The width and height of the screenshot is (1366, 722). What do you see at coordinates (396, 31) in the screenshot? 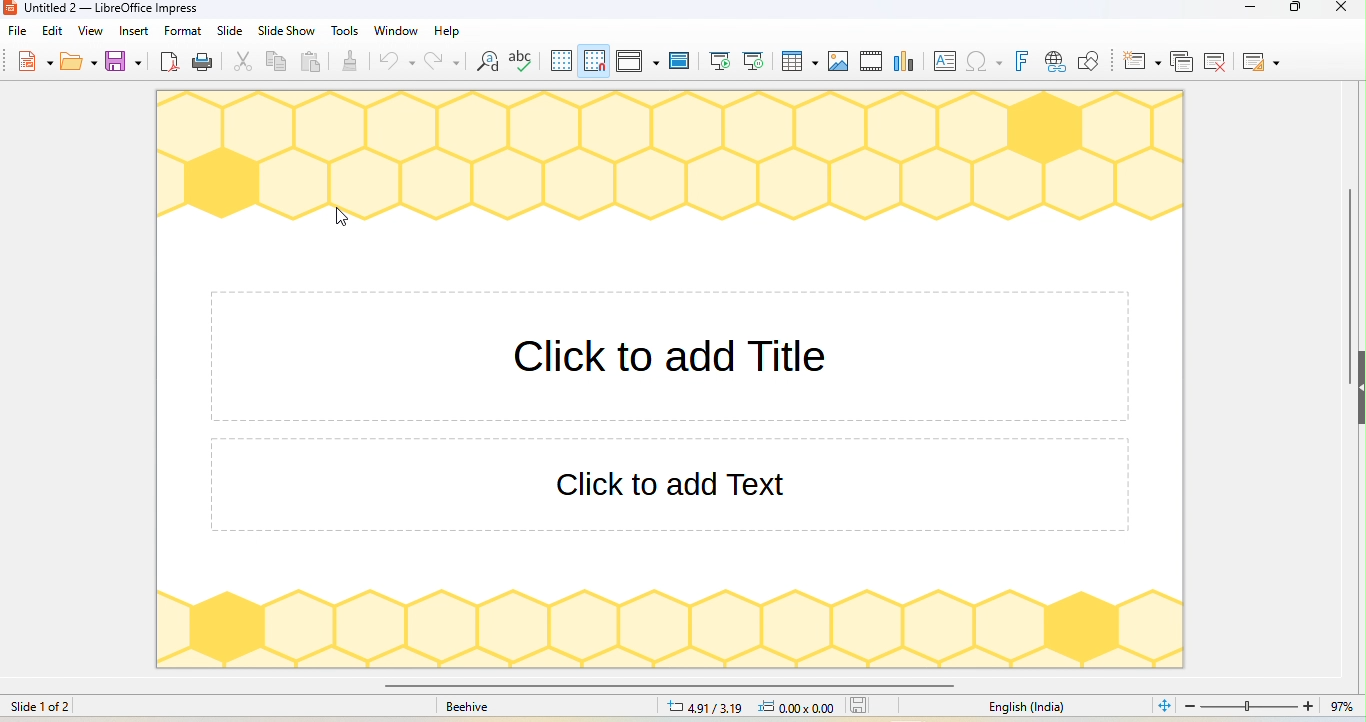
I see `window` at bounding box center [396, 31].